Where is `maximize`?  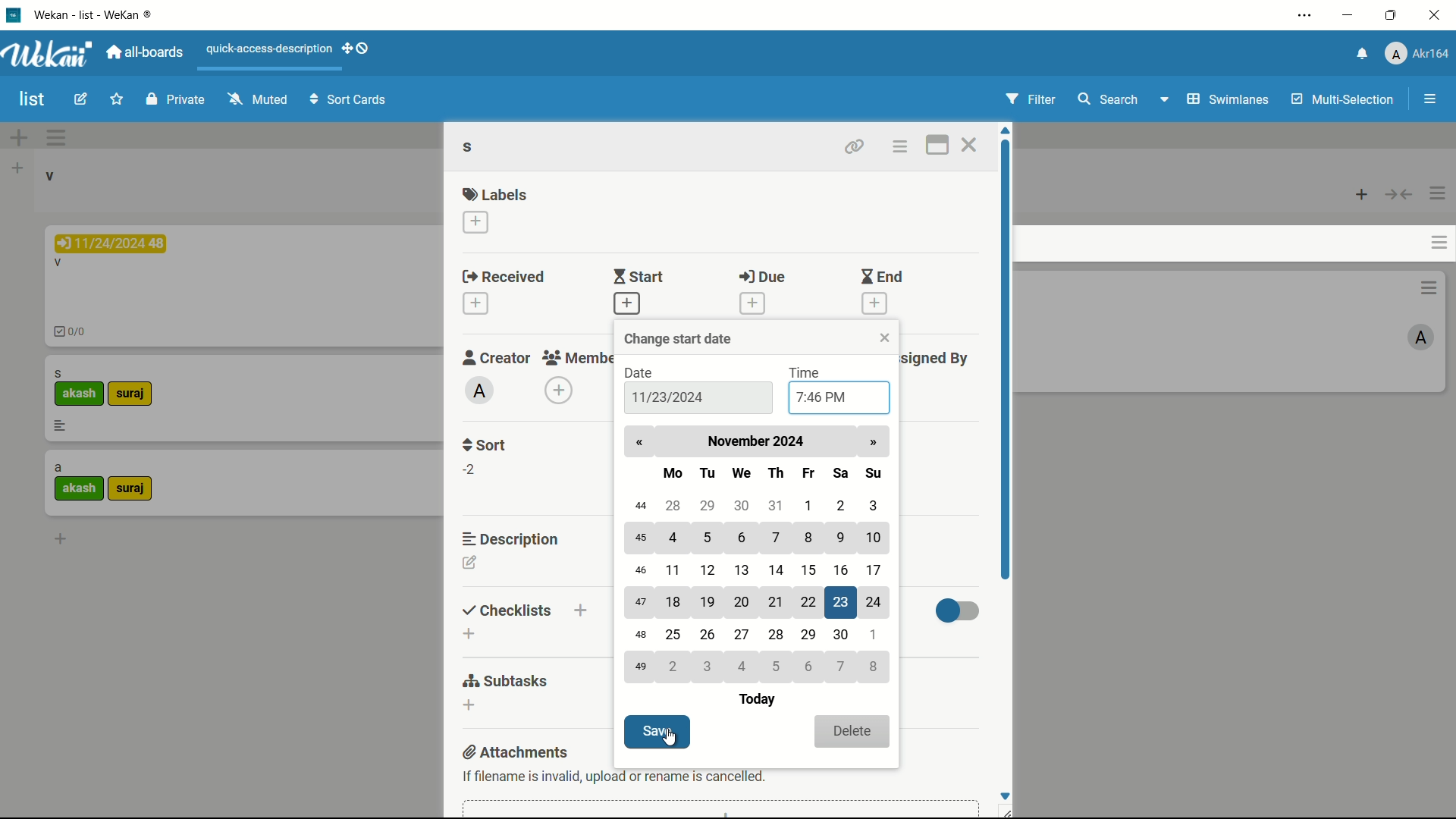 maximize is located at coordinates (1391, 16).